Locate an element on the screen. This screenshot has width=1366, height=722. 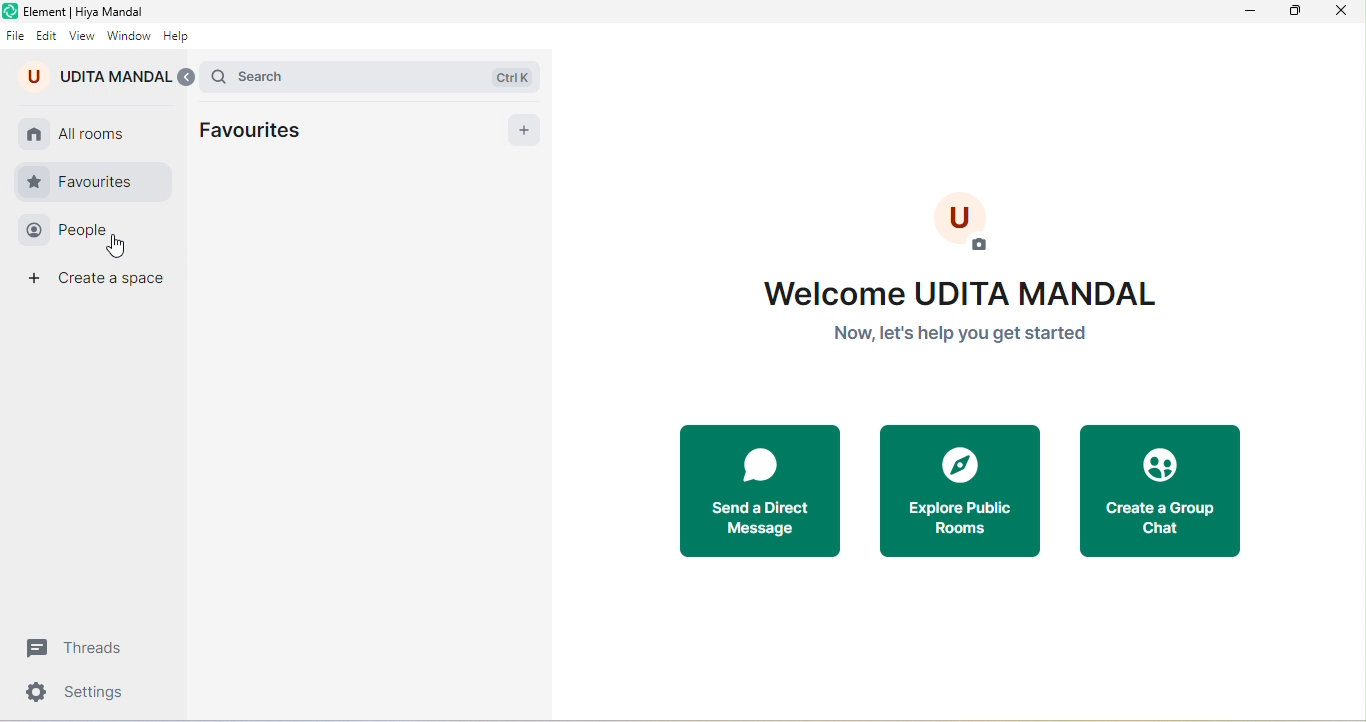
expand is located at coordinates (190, 79).